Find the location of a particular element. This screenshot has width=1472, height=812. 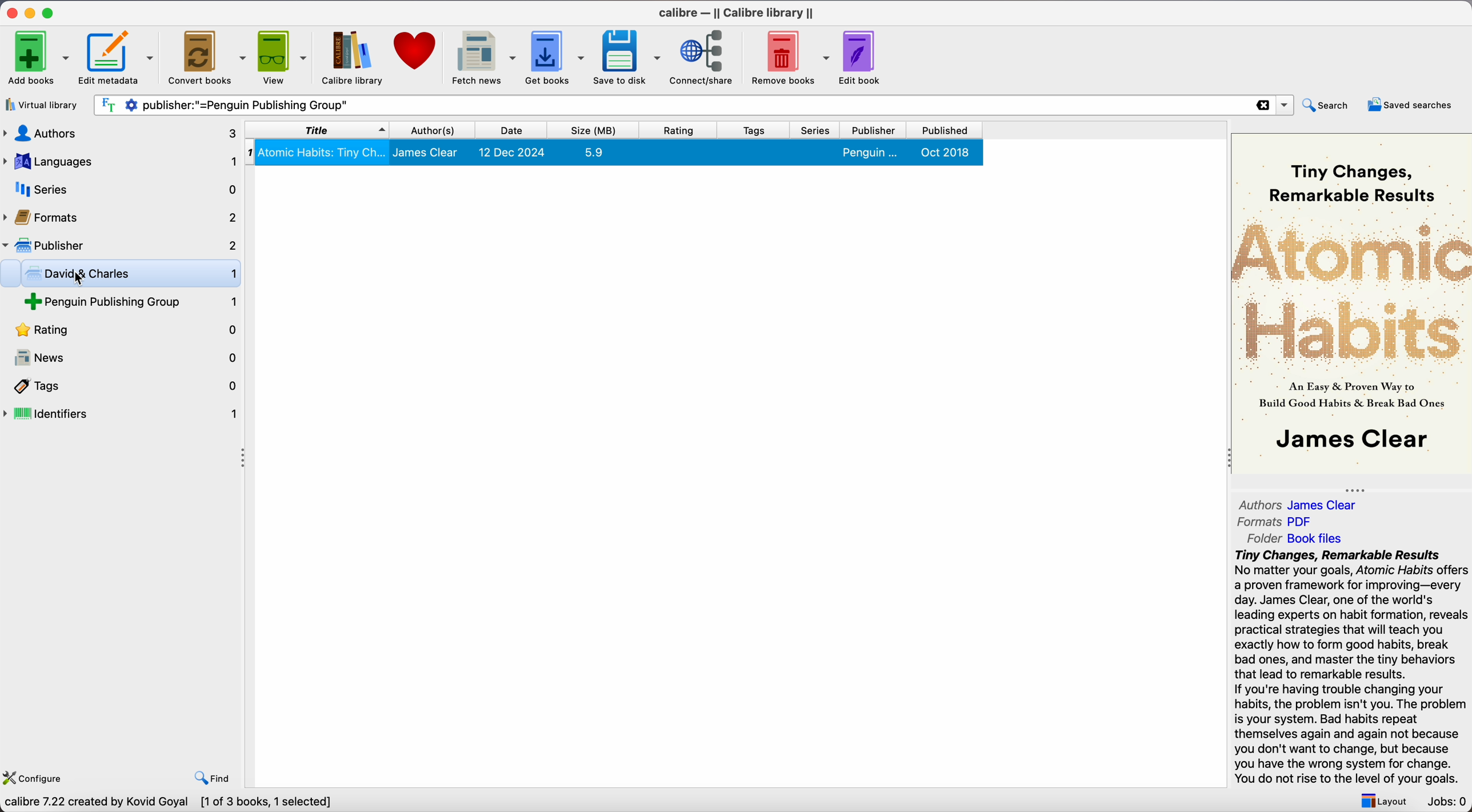

calibre 7.22 created by Kovid Goyal [1 of 3 books, 1 selected] is located at coordinates (173, 802).